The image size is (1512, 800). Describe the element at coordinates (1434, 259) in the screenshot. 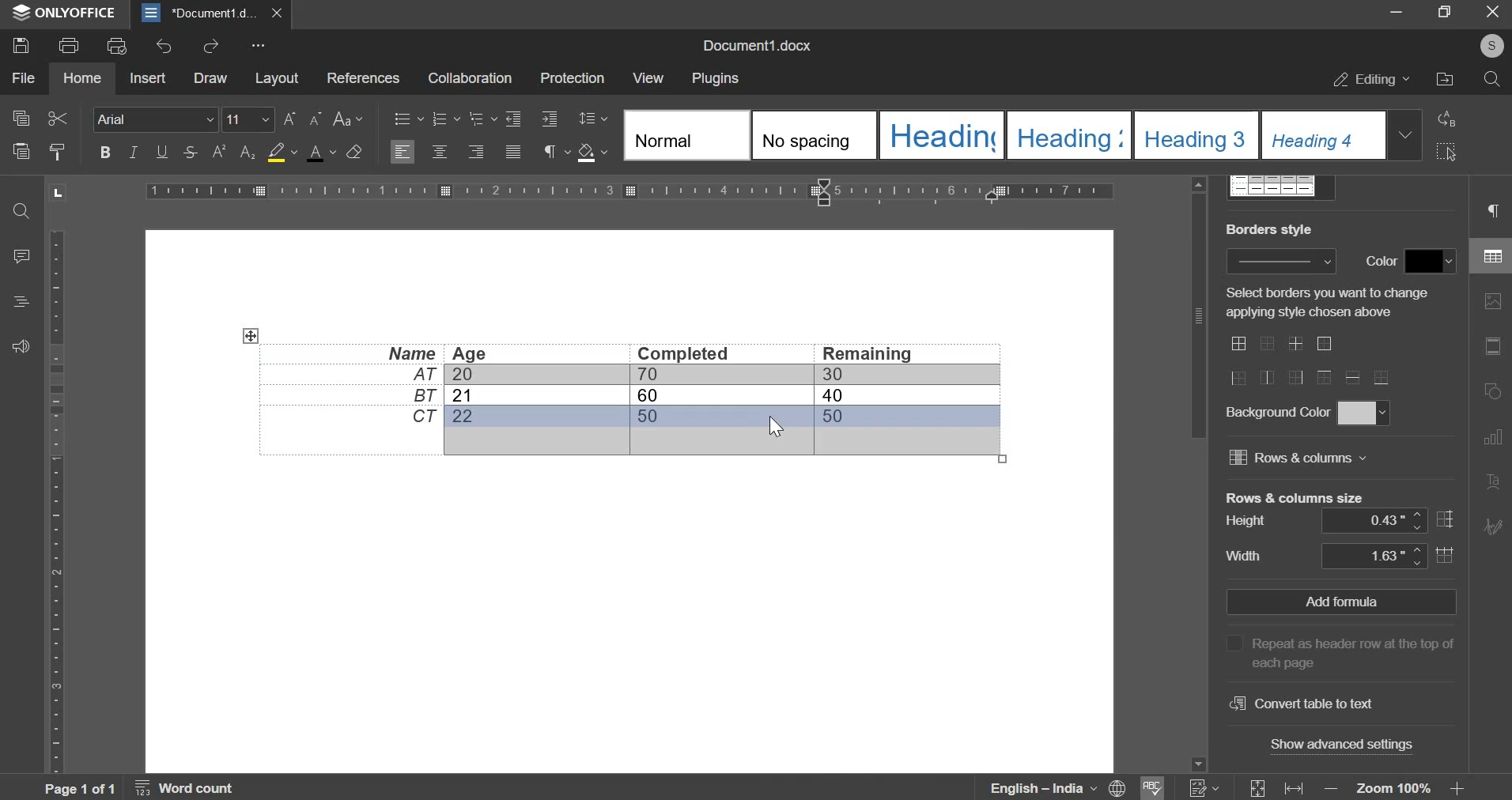

I see `border color` at that location.